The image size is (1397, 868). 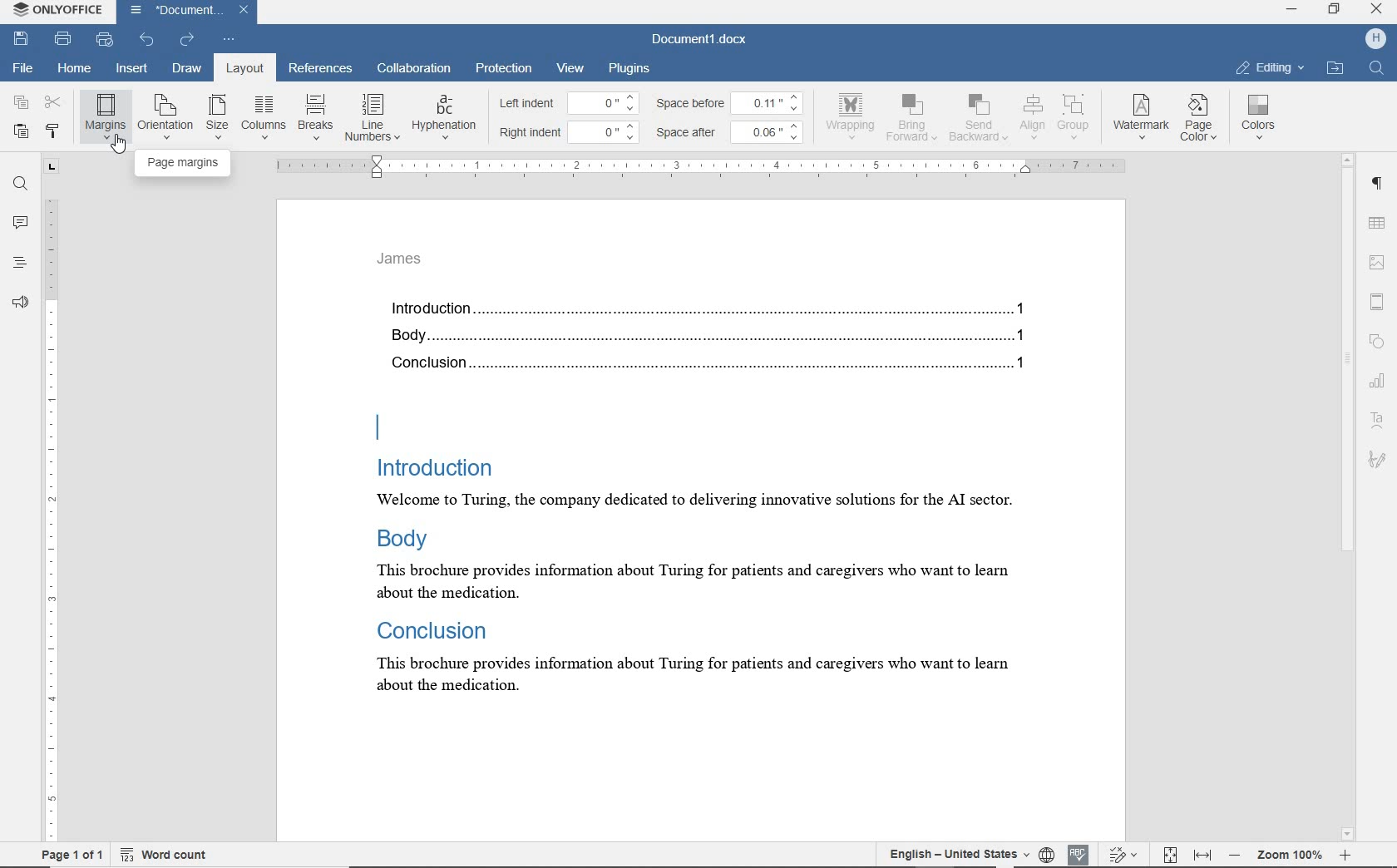 What do you see at coordinates (241, 68) in the screenshot?
I see `layout` at bounding box center [241, 68].